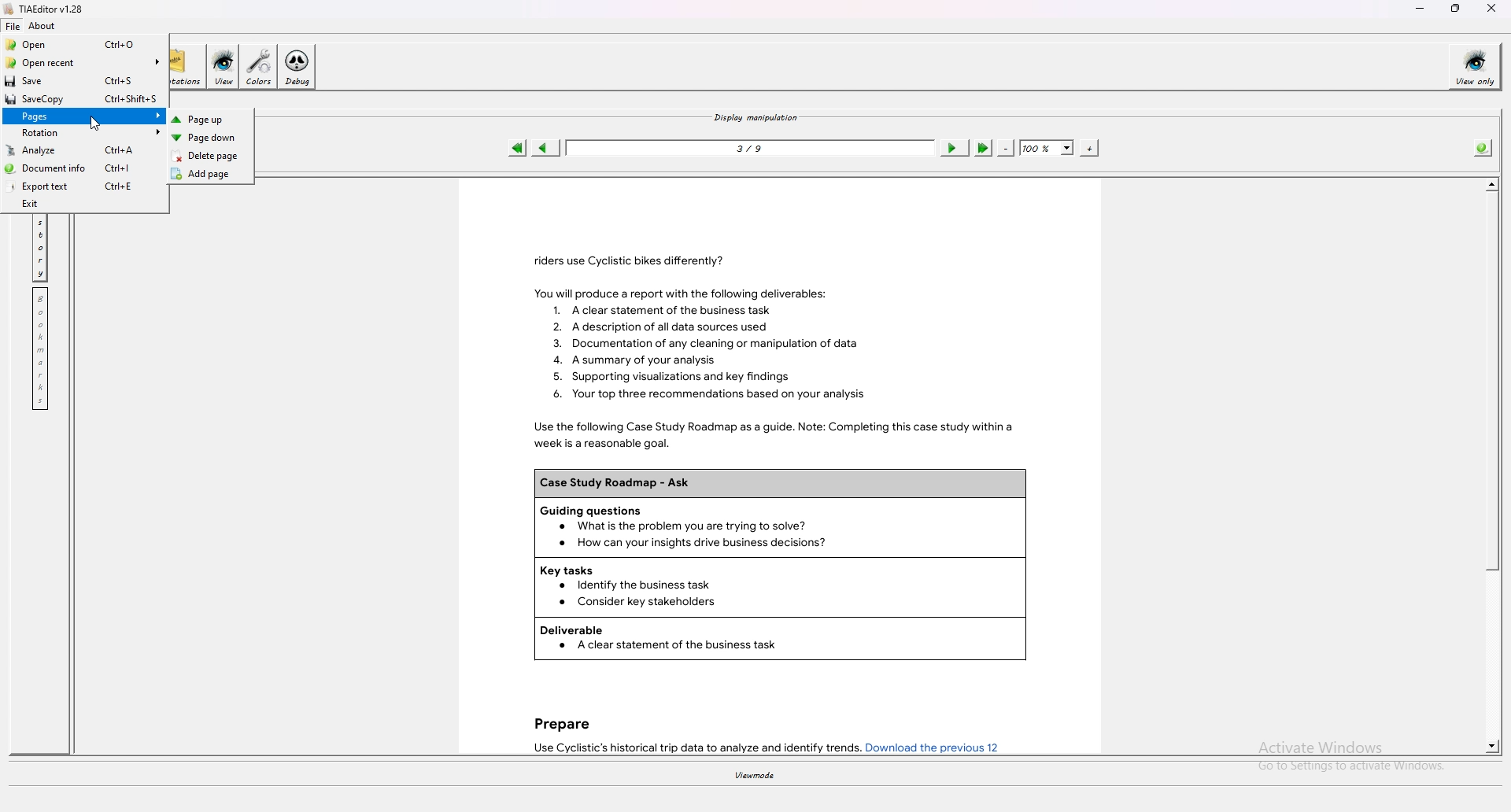 Image resolution: width=1511 pixels, height=812 pixels. I want to click on Save Ctrl+S, so click(83, 80).